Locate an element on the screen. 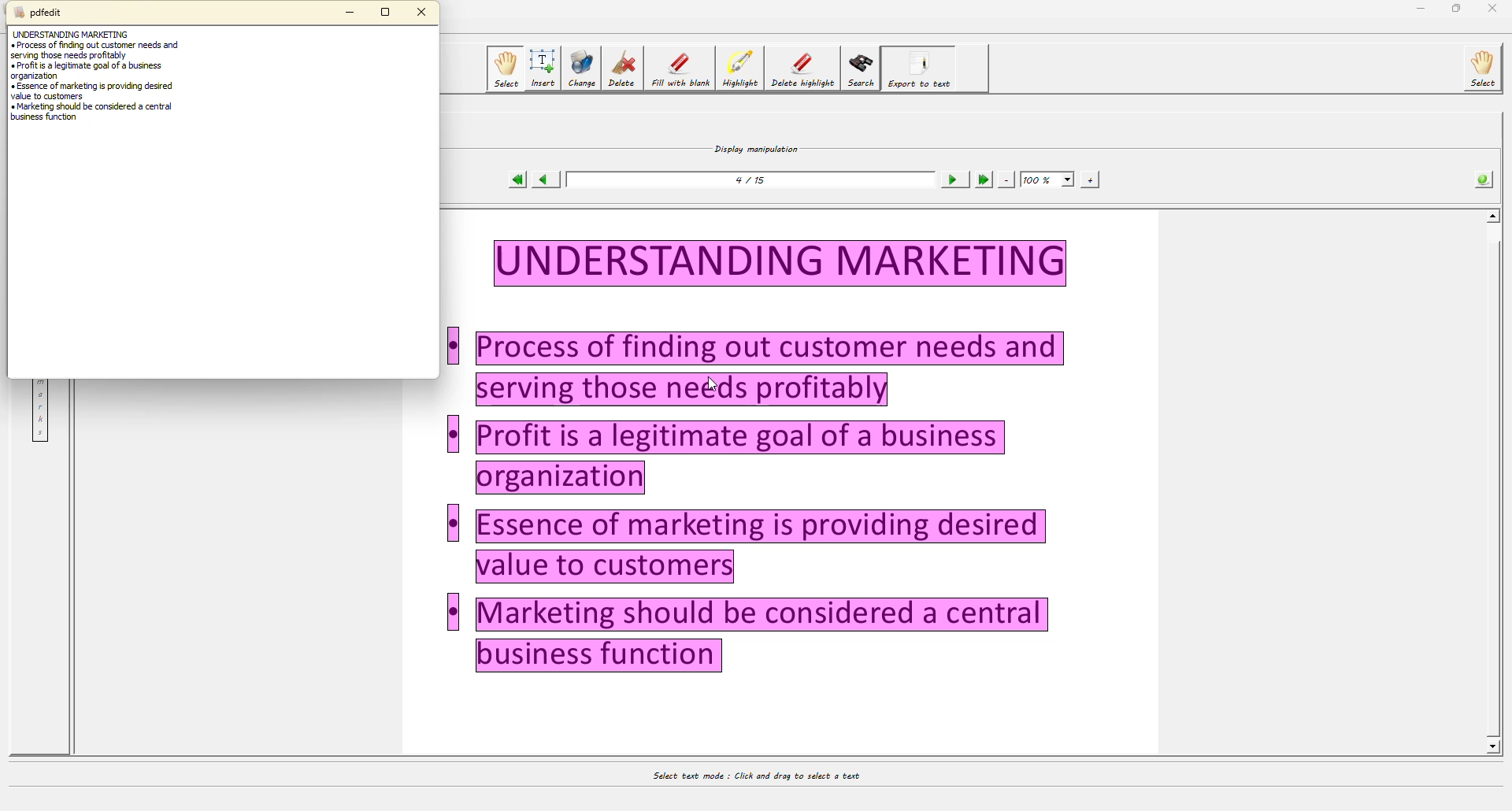 This screenshot has width=1512, height=811. 100% is located at coordinates (1046, 178).